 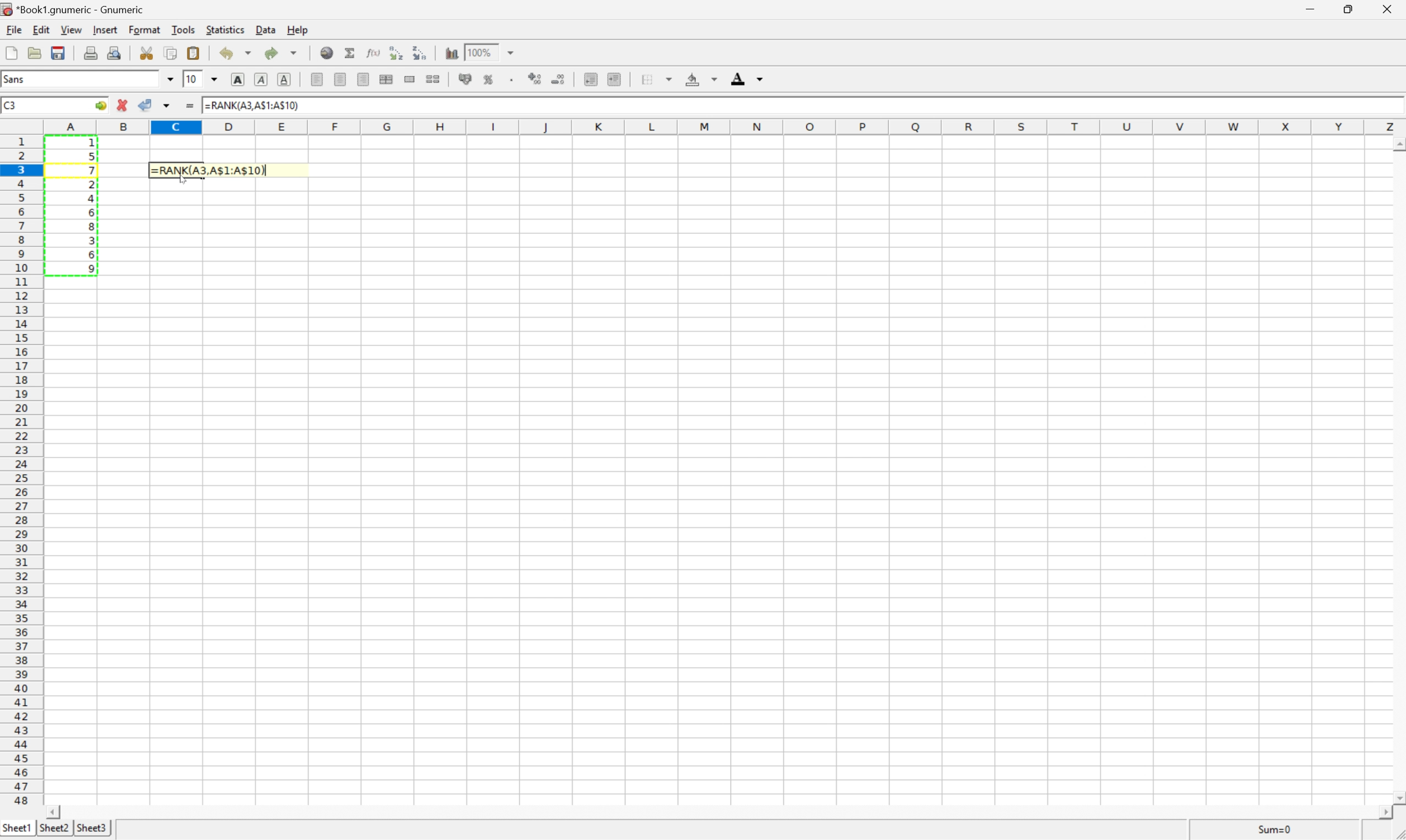 I want to click on data, so click(x=266, y=29).